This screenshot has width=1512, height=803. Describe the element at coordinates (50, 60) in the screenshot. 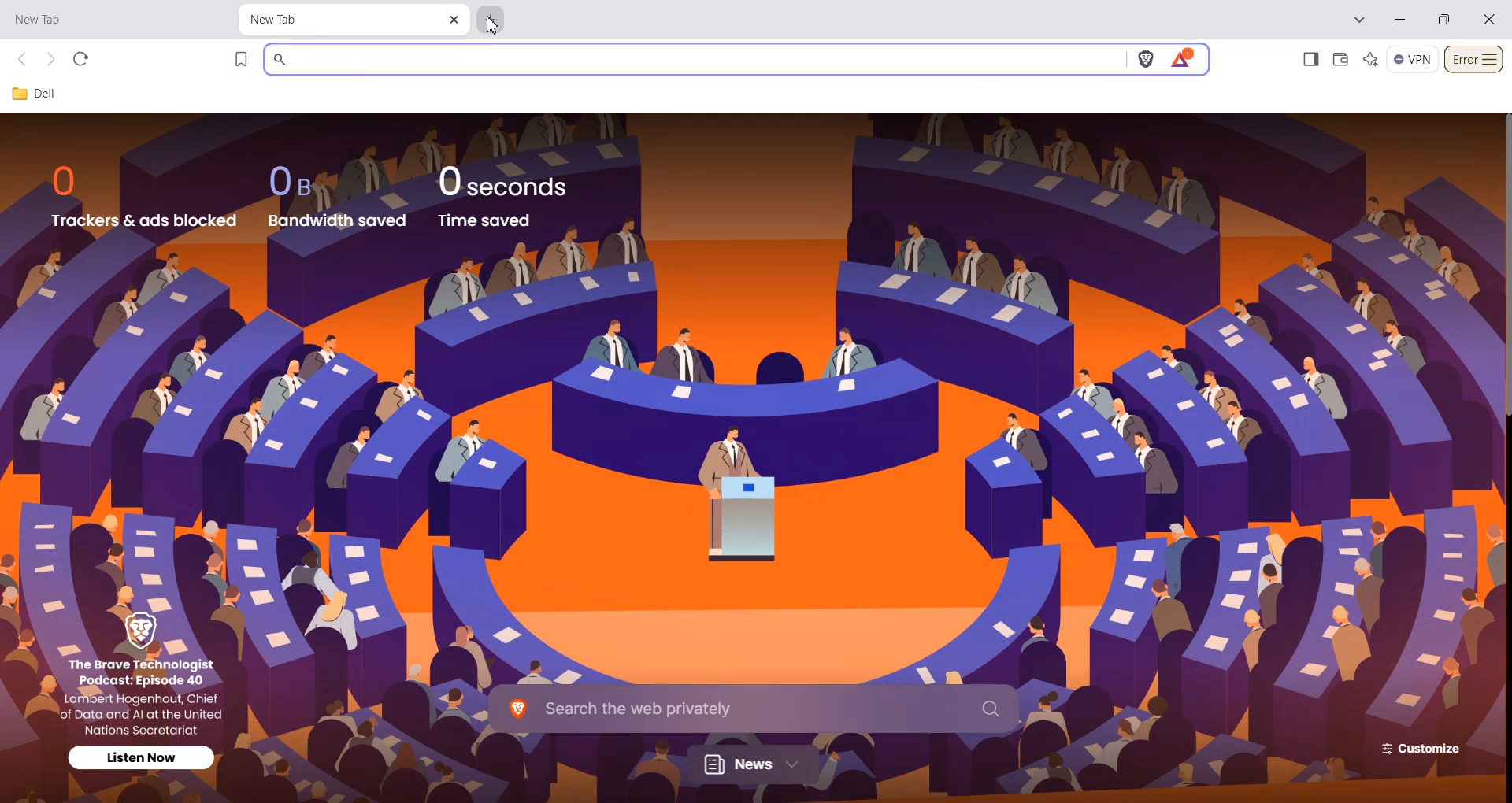

I see `Forward` at that location.